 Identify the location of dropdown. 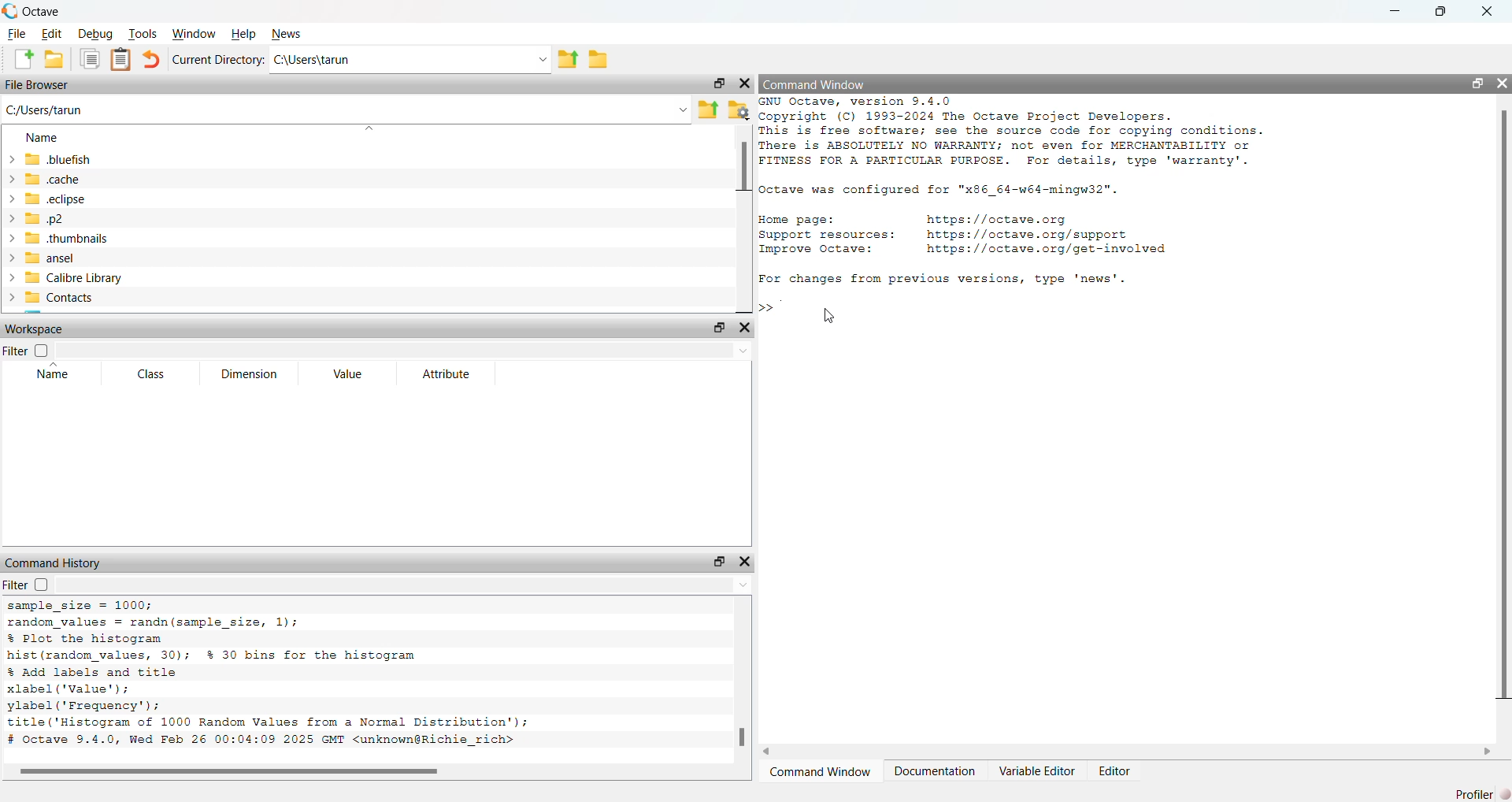
(742, 351).